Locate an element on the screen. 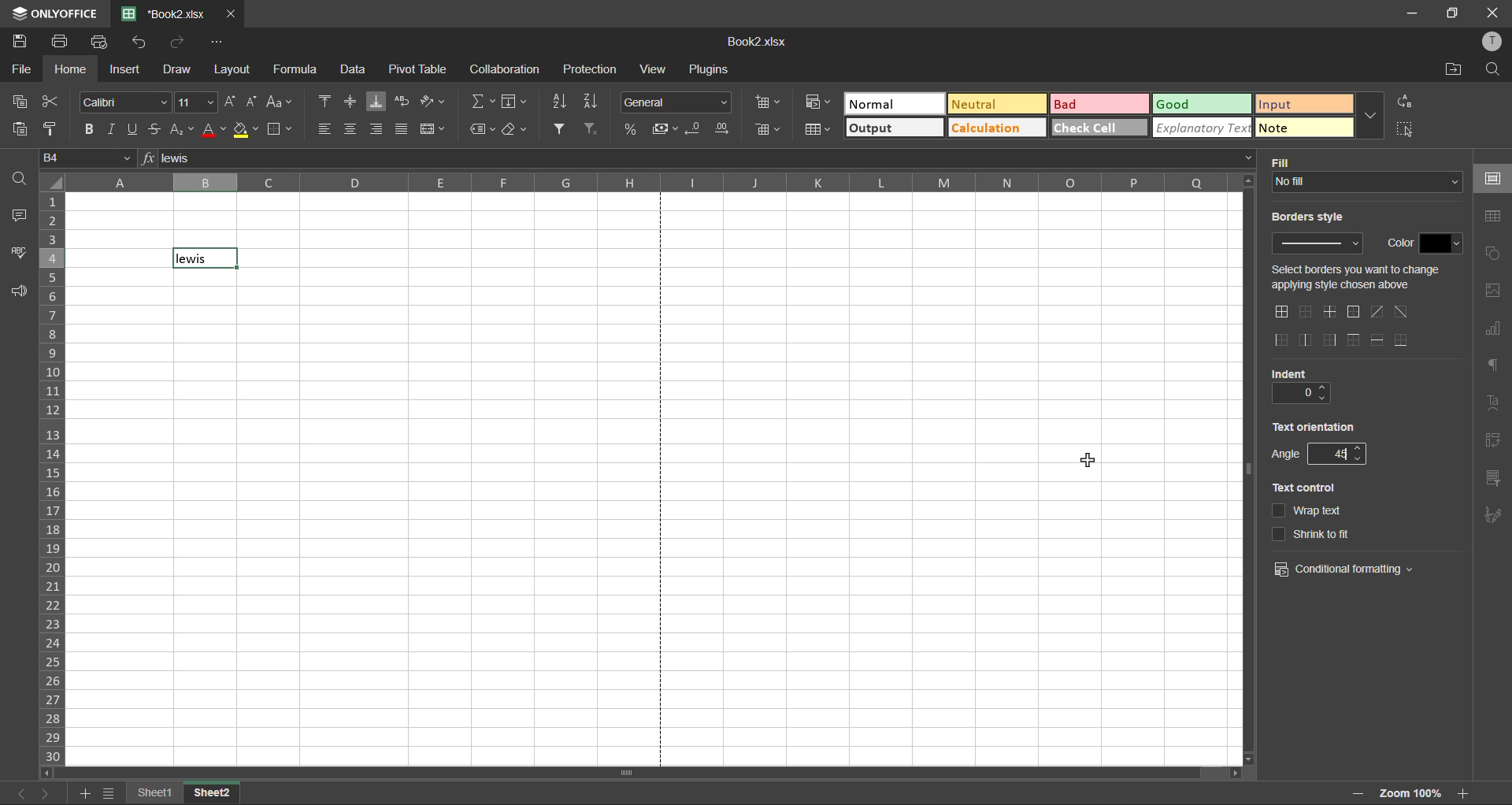 Image resolution: width=1512 pixels, height=805 pixels. color is located at coordinates (1397, 243).